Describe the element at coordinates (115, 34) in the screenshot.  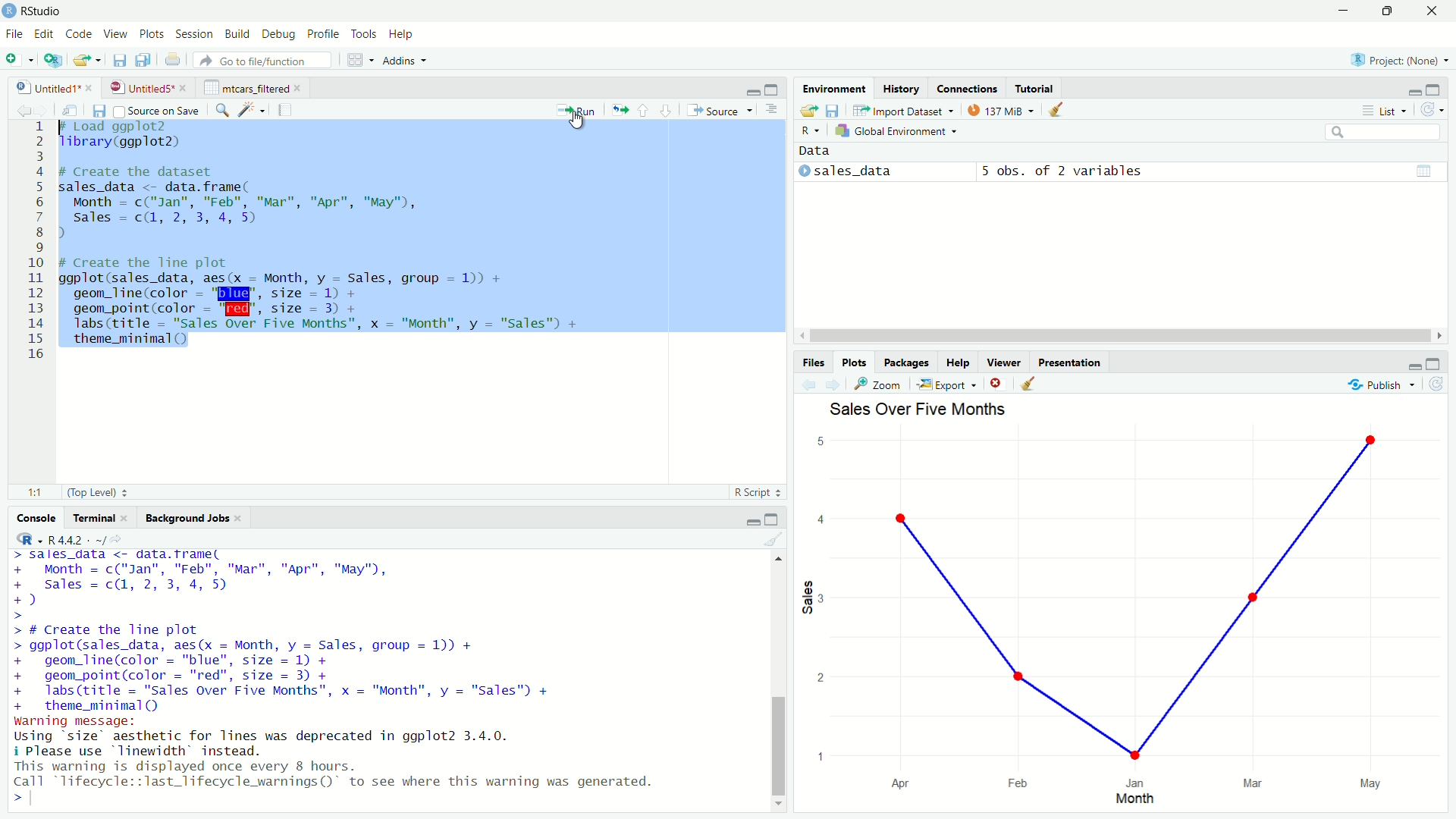
I see `view` at that location.